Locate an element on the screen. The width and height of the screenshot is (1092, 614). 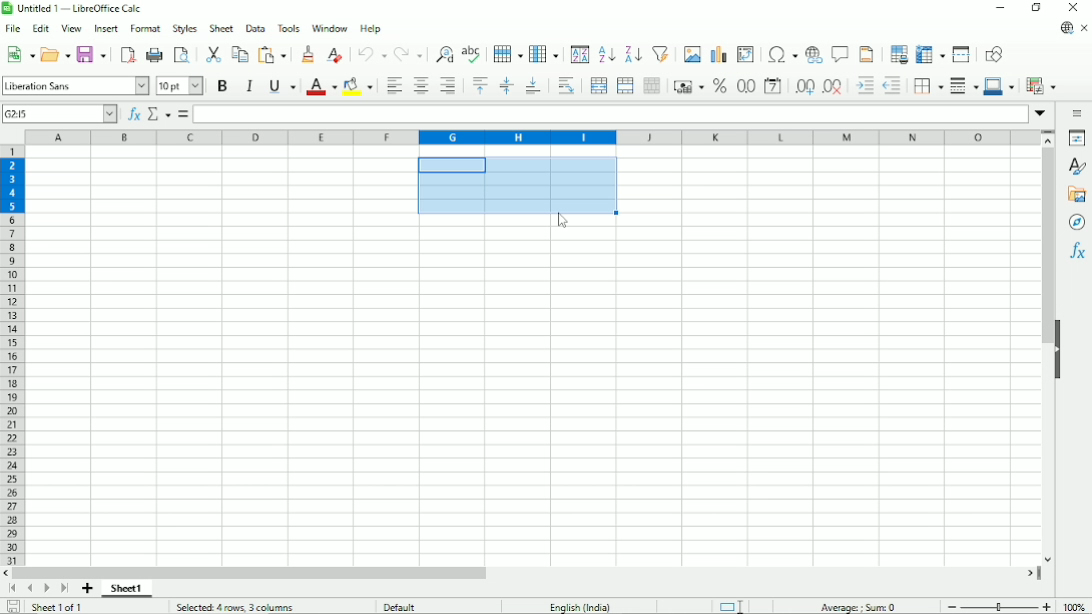
Font size is located at coordinates (179, 86).